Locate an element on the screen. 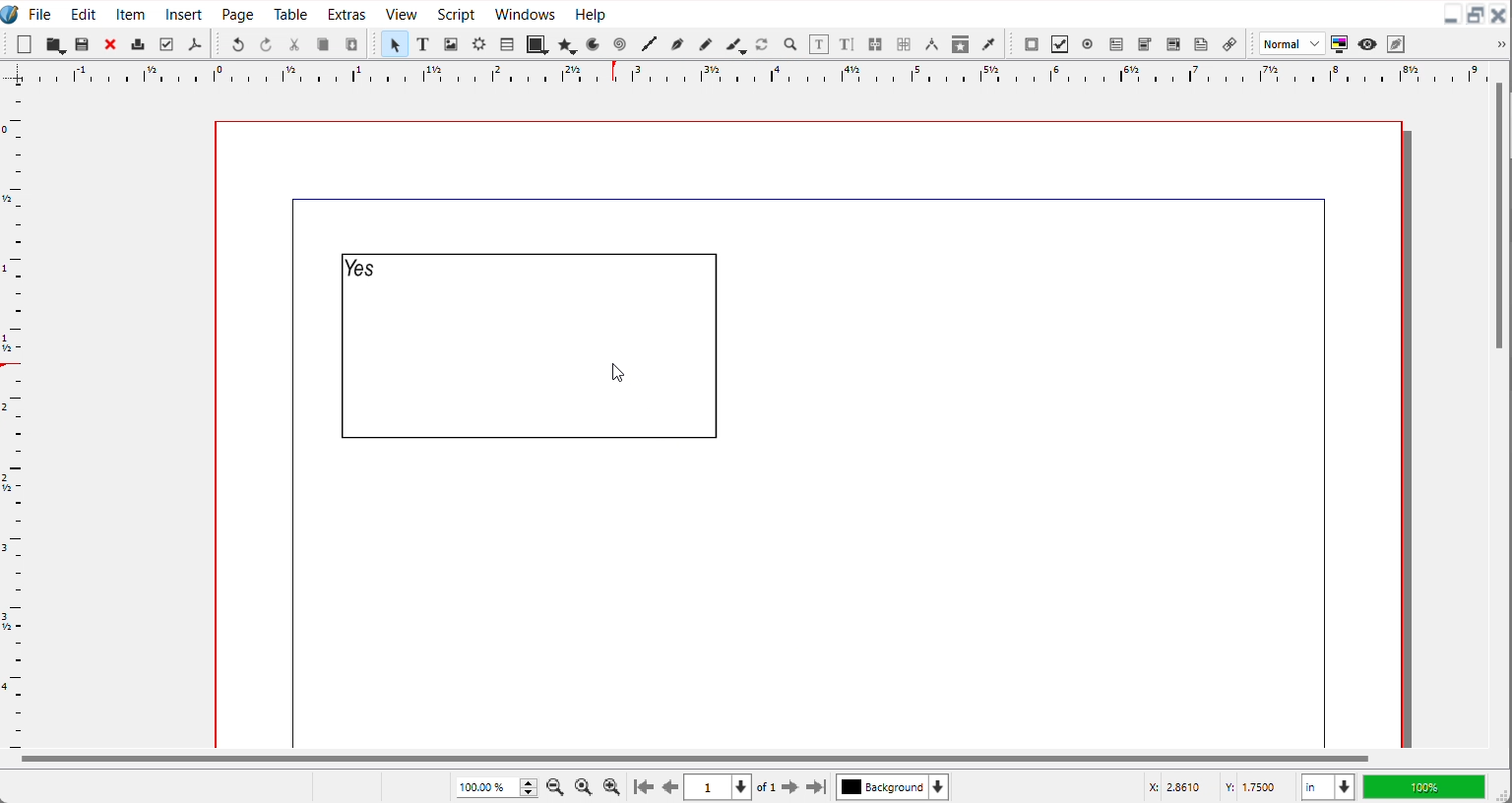 The width and height of the screenshot is (1512, 803). Go to first page is located at coordinates (644, 786).